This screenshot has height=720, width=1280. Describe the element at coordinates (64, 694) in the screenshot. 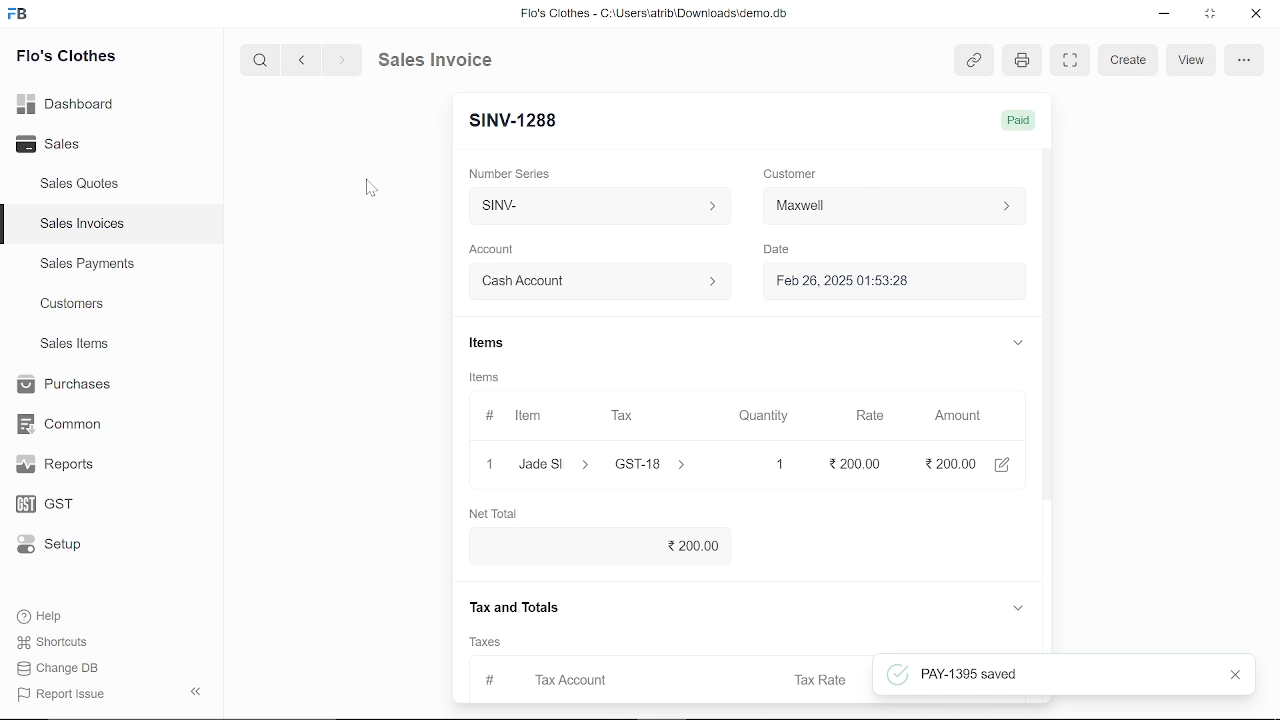

I see `| Report Issue:` at that location.